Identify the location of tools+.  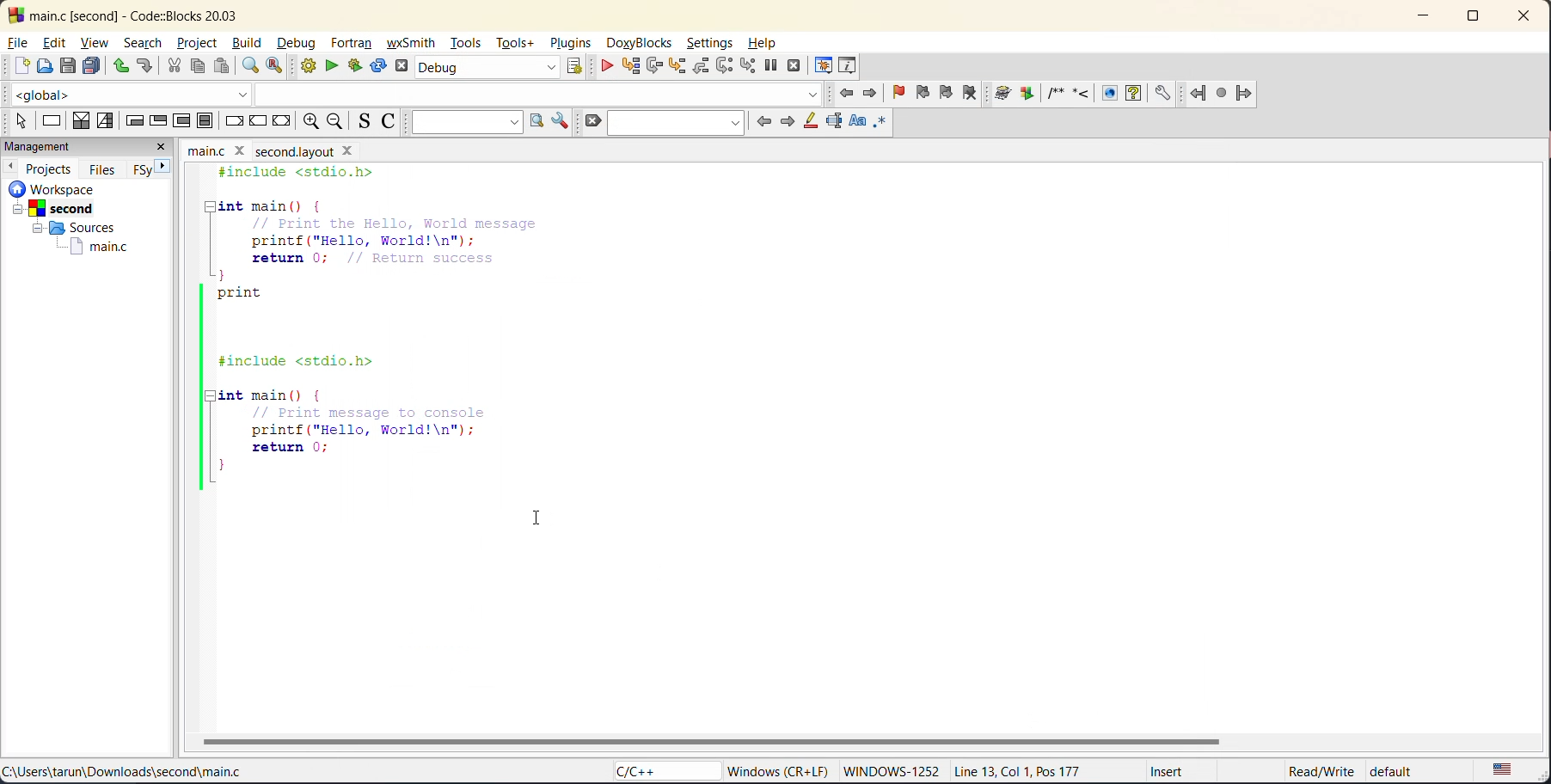
(518, 44).